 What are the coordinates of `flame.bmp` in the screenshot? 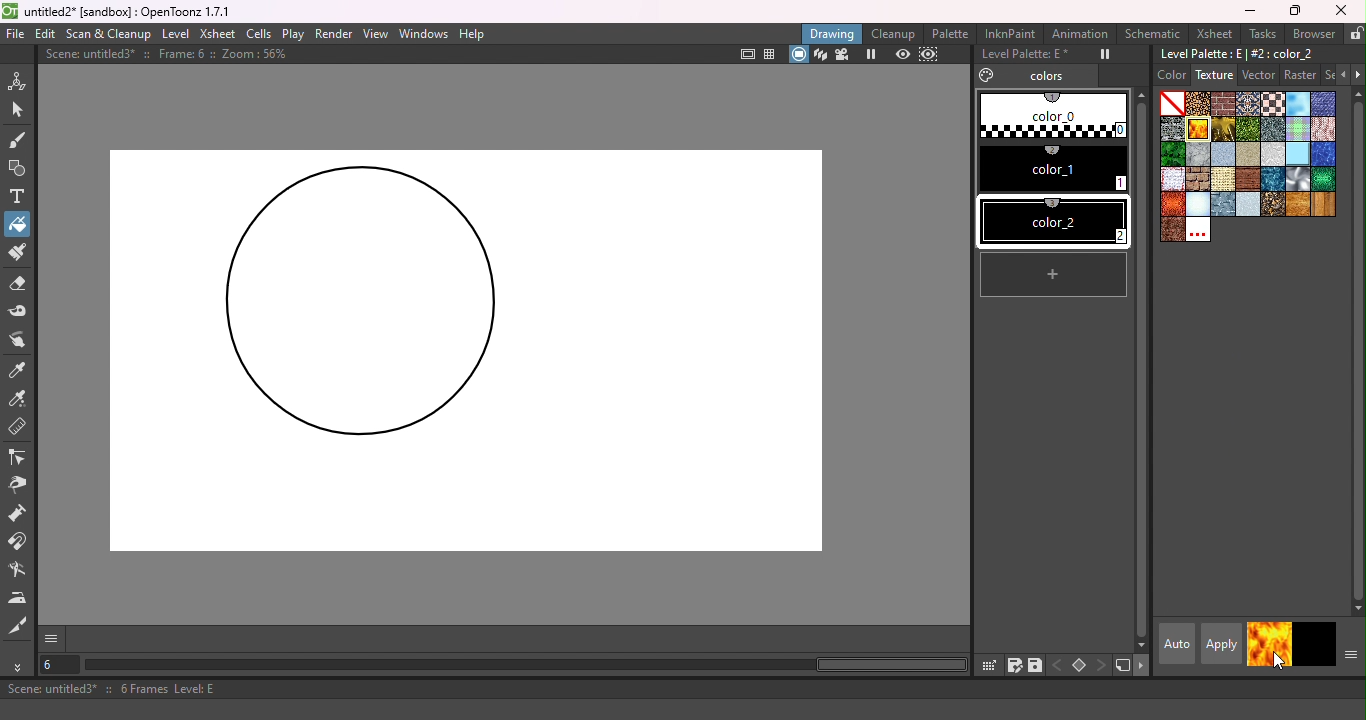 It's located at (1198, 129).